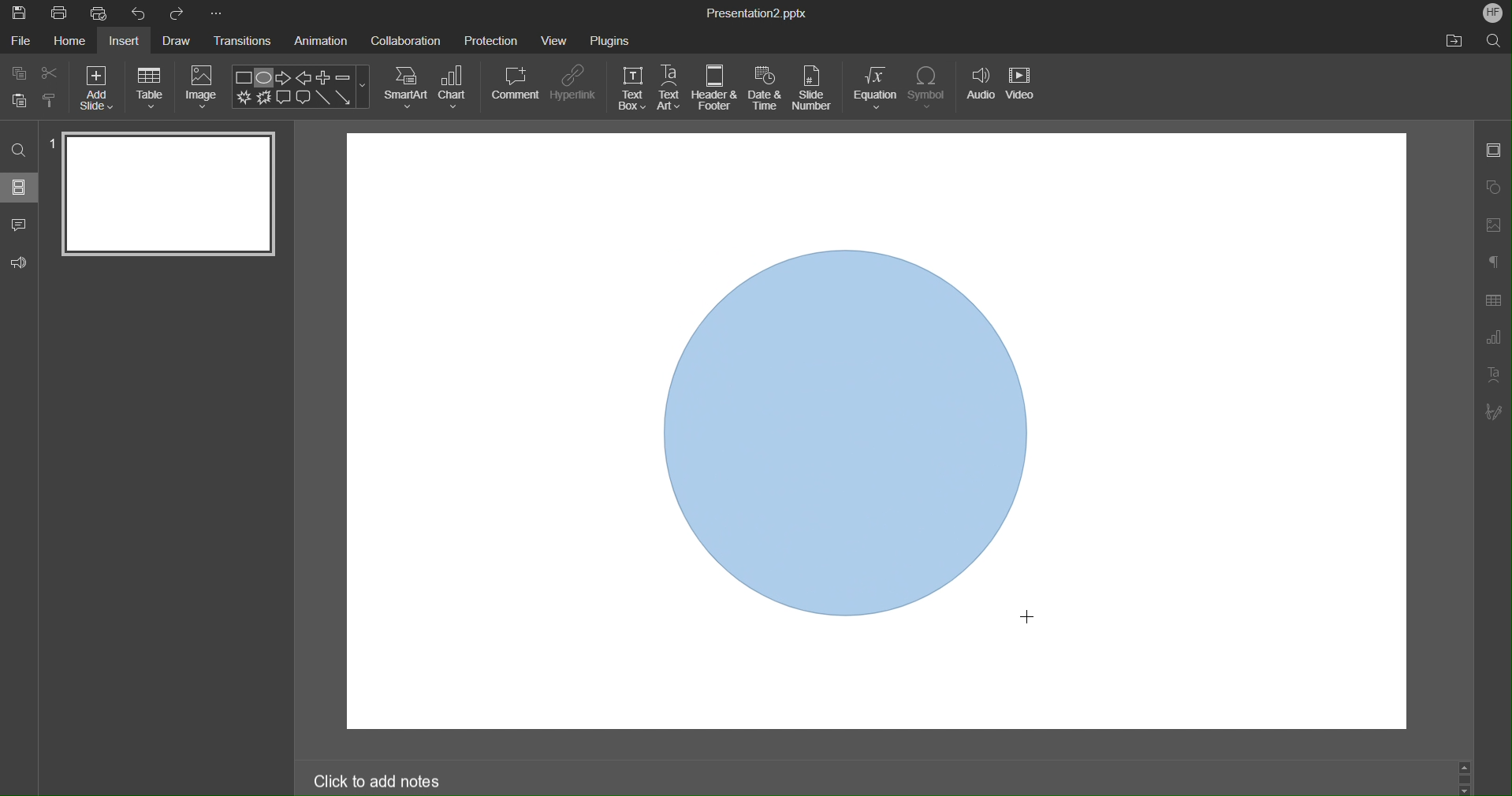 The image size is (1512, 796). Describe the element at coordinates (755, 15) in the screenshot. I see `Presentation2` at that location.